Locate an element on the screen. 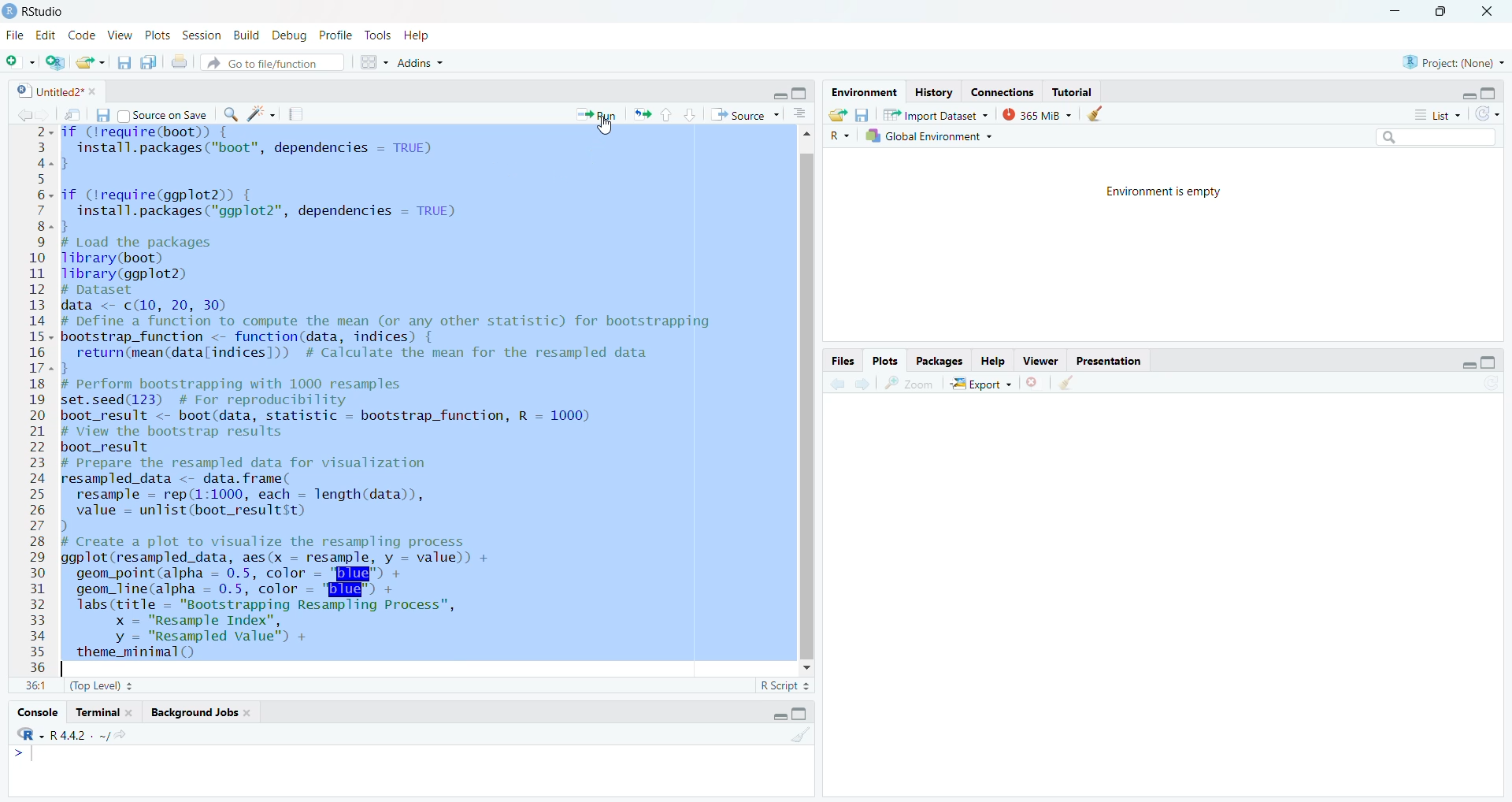 This screenshot has width=1512, height=802. (Top Level)  is located at coordinates (102, 686).